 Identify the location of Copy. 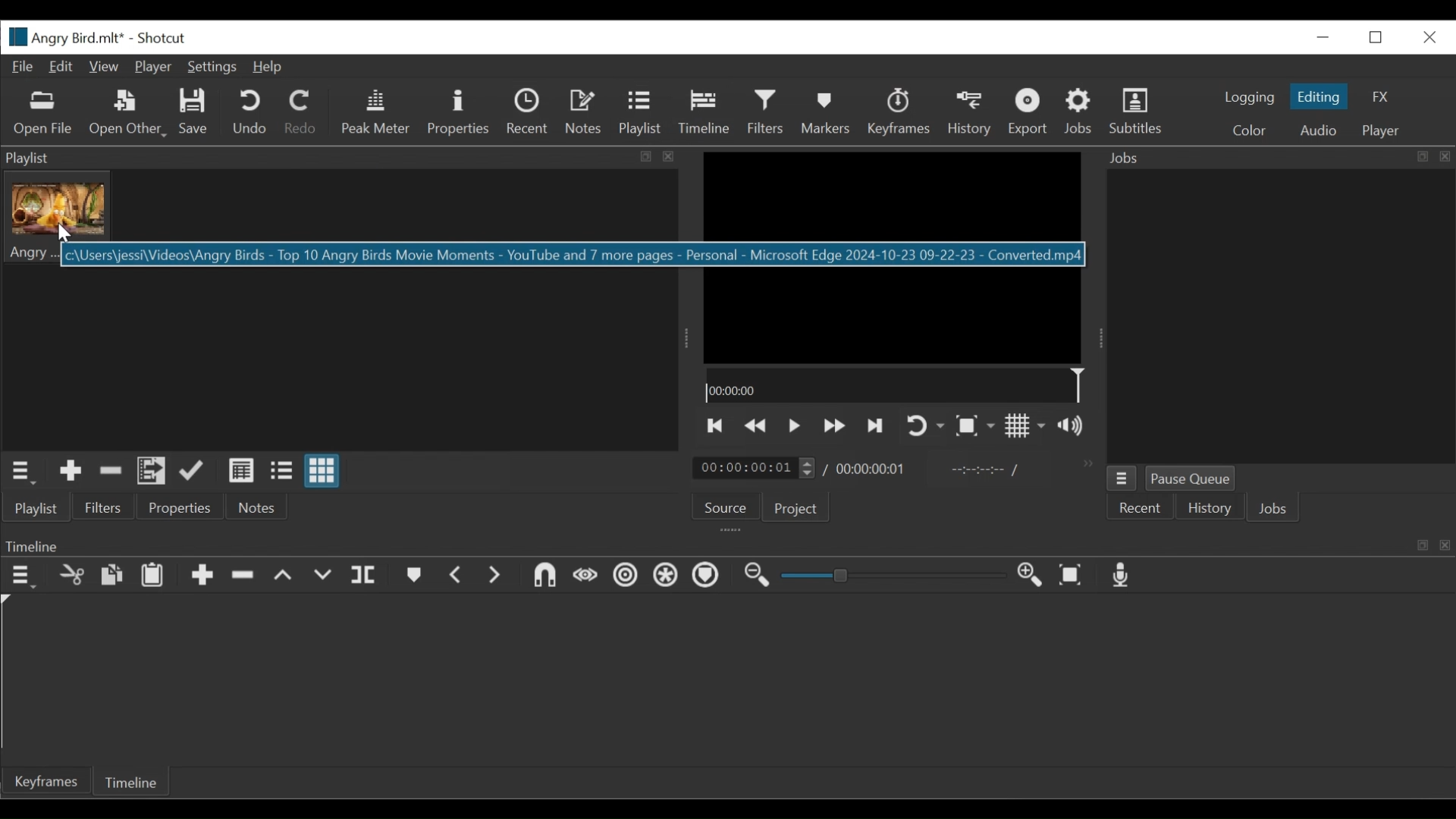
(111, 574).